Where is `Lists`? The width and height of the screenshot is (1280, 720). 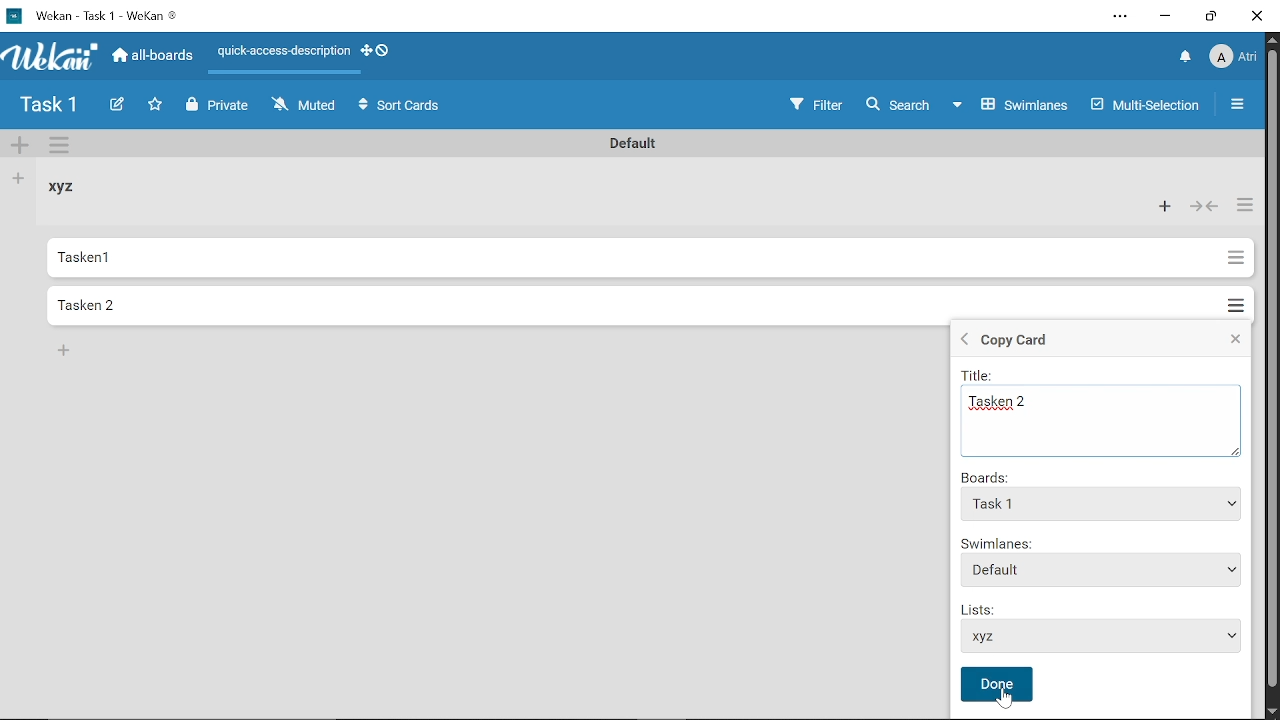
Lists is located at coordinates (1106, 638).